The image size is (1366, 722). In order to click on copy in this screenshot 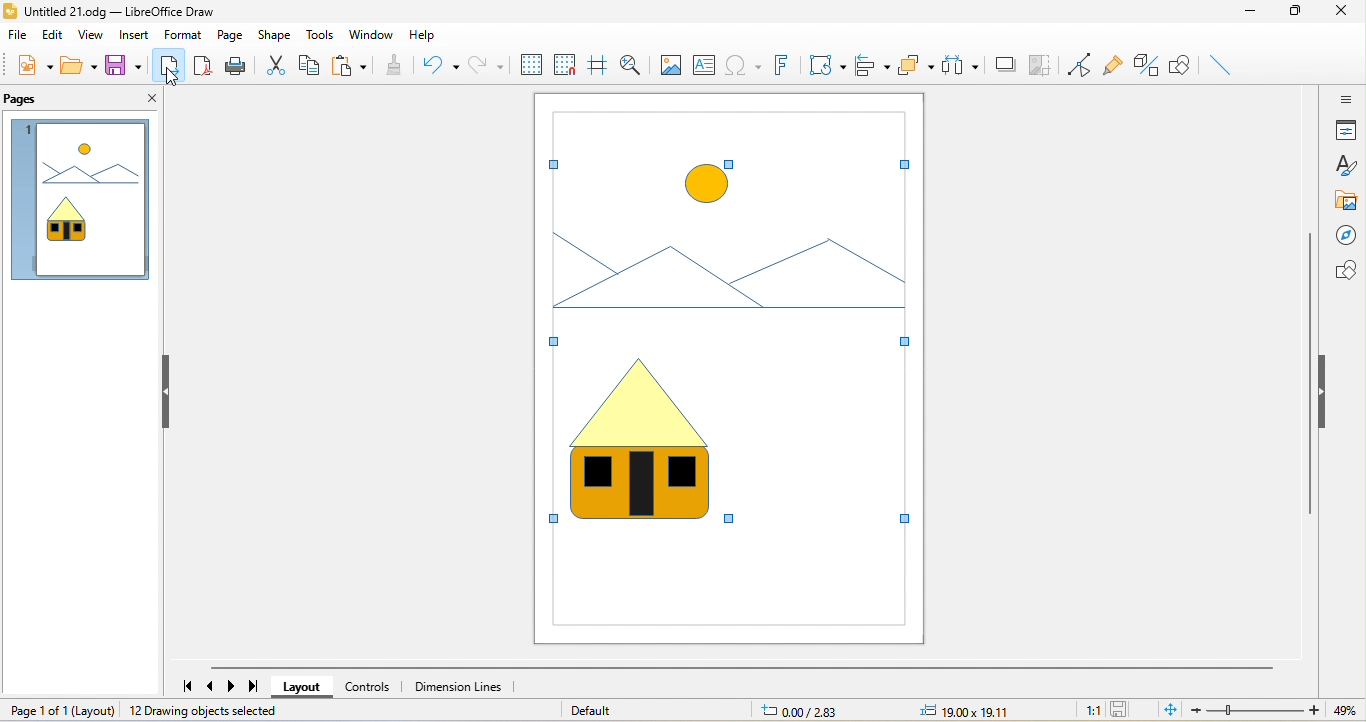, I will do `click(311, 64)`.